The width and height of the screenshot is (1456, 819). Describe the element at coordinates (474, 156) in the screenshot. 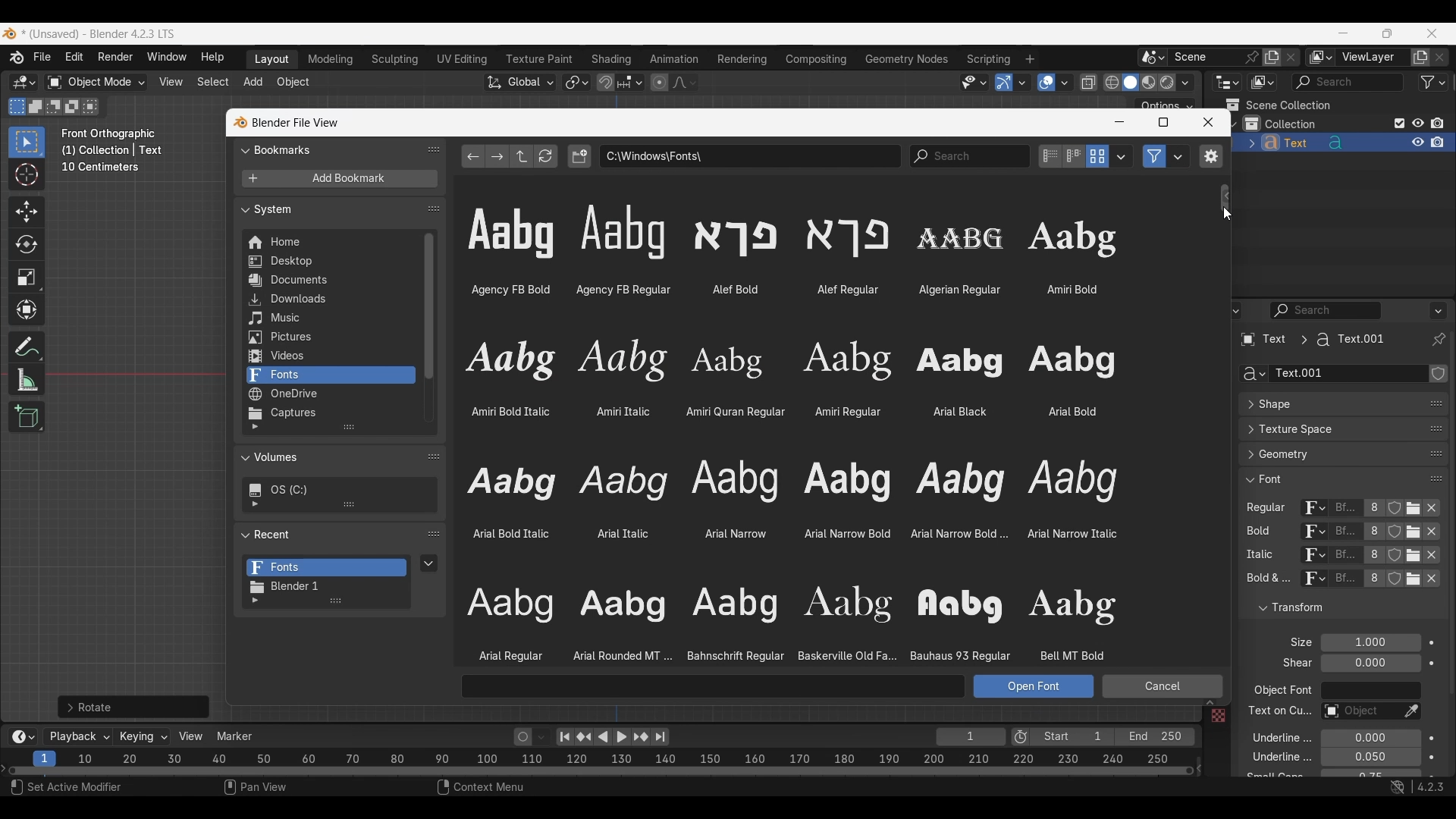

I see `Previous folder` at that location.